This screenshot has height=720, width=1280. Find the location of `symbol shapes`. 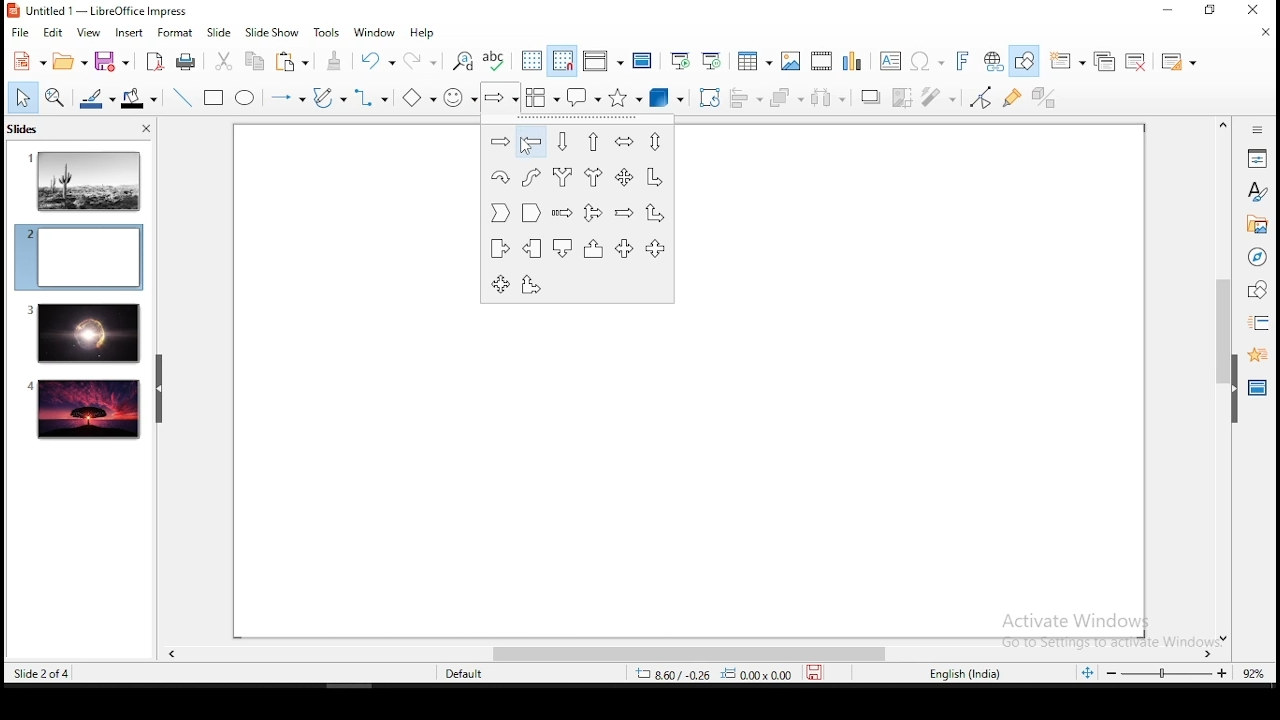

symbol shapes is located at coordinates (460, 98).